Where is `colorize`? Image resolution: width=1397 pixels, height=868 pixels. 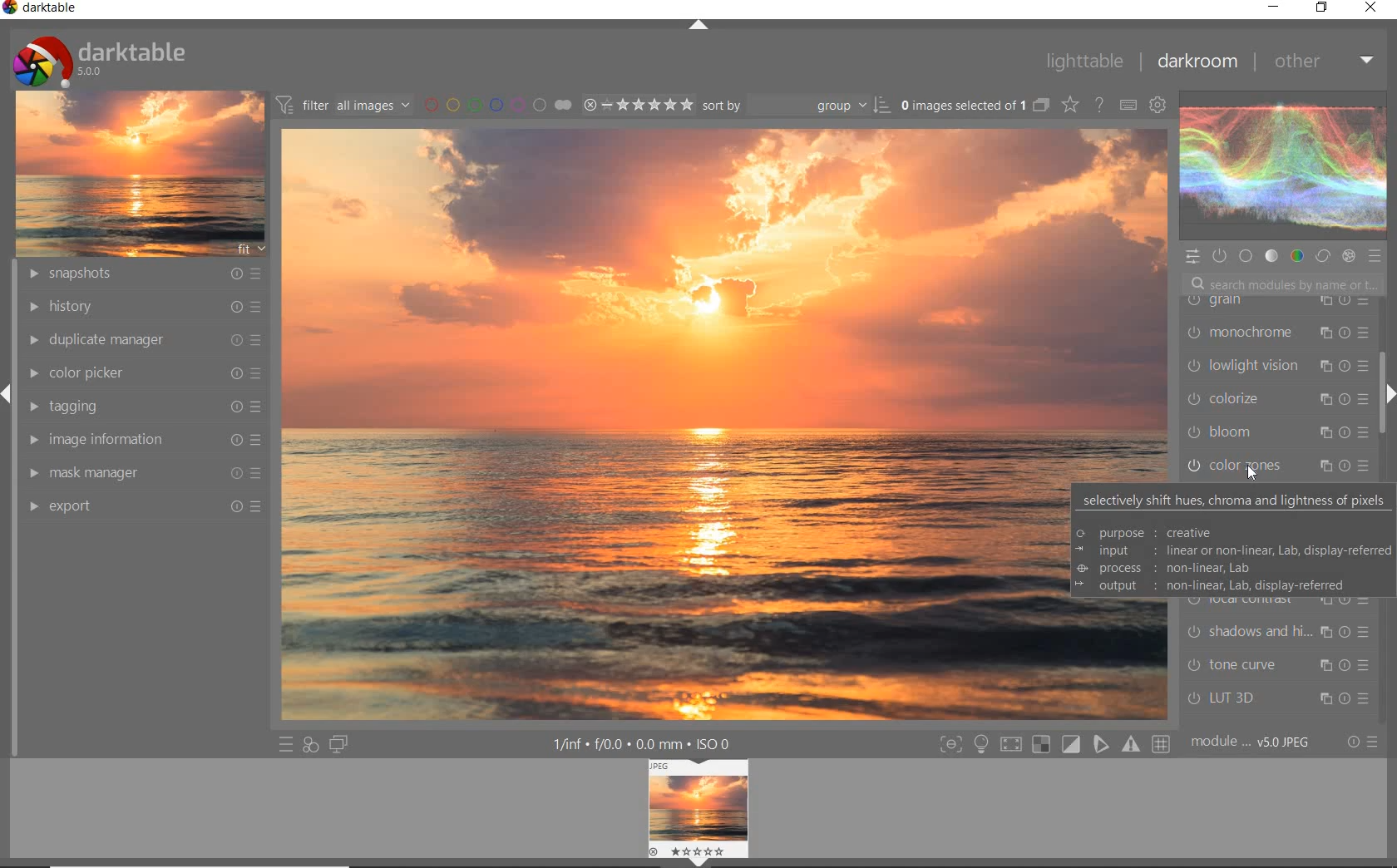 colorize is located at coordinates (1277, 401).